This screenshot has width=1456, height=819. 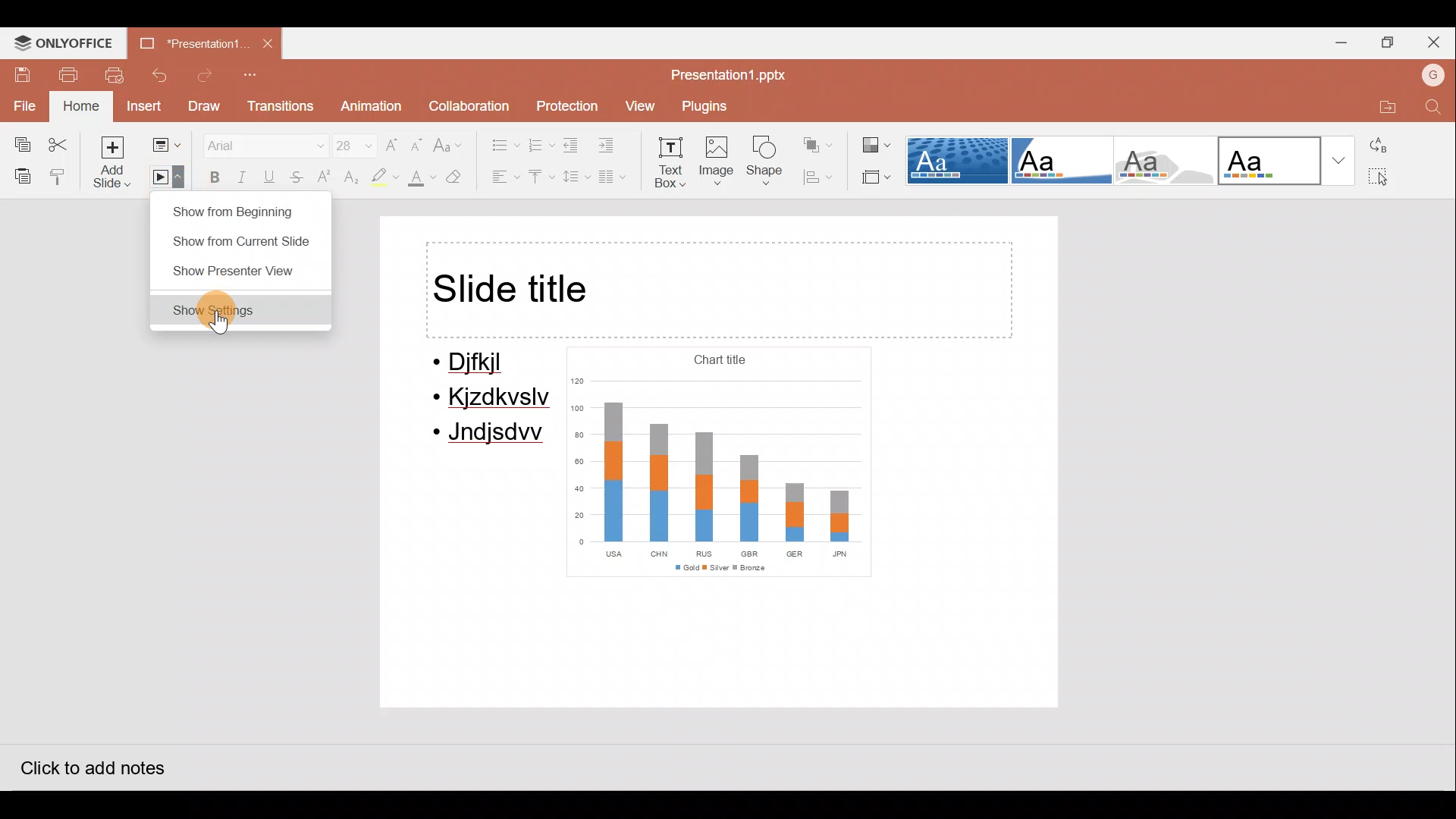 What do you see at coordinates (472, 104) in the screenshot?
I see `Collaboration` at bounding box center [472, 104].